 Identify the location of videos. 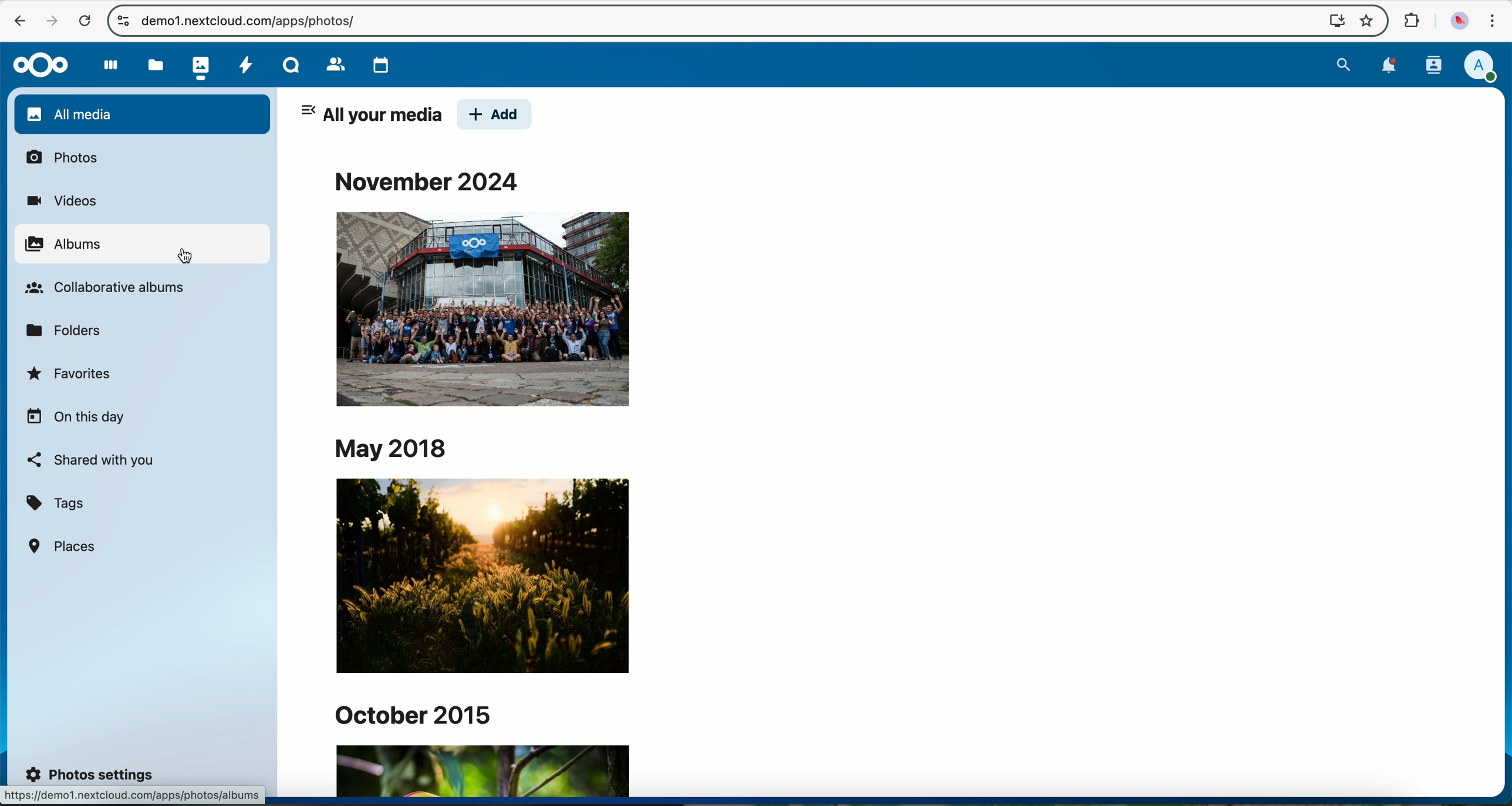
(61, 201).